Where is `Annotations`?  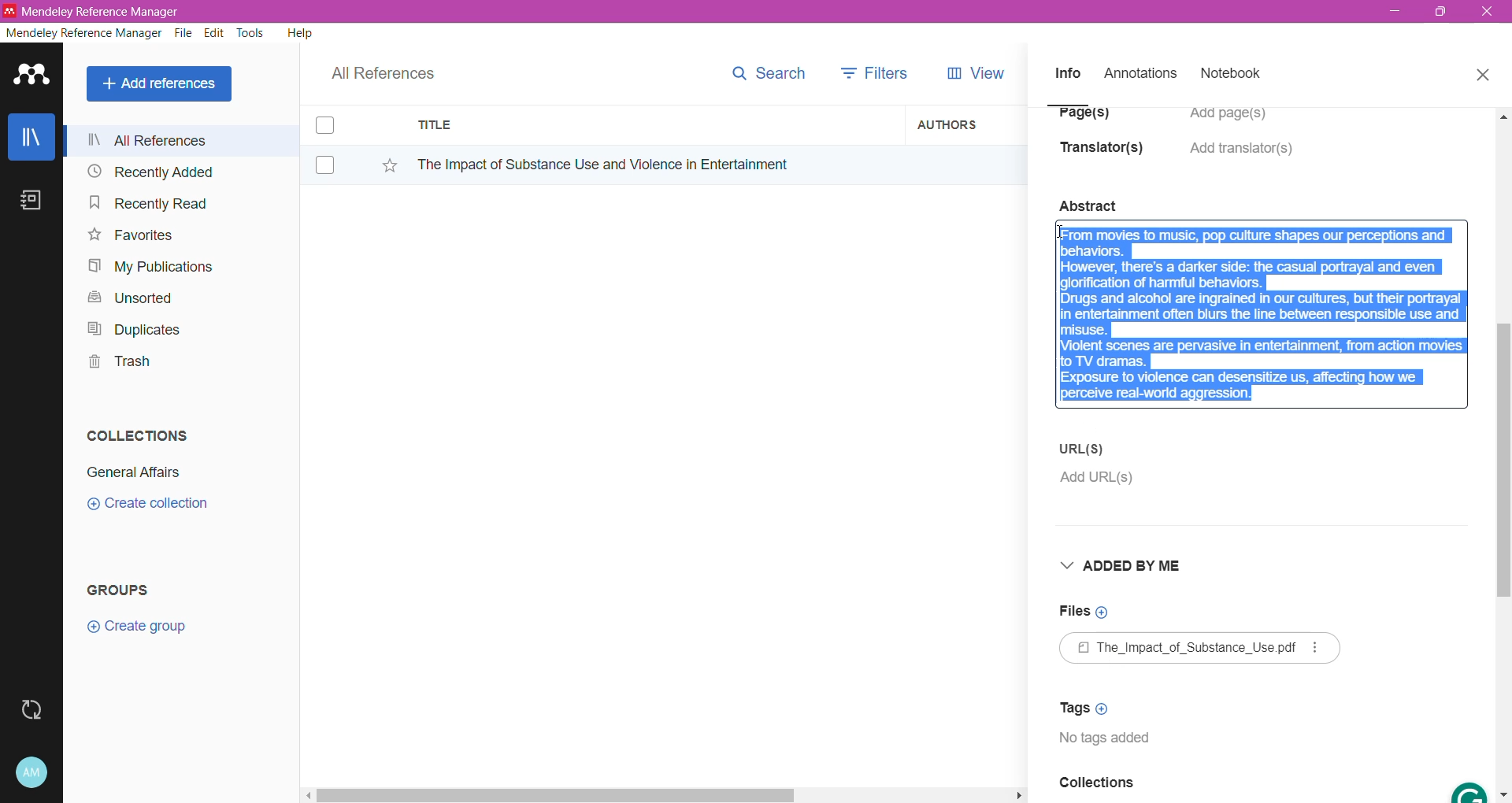 Annotations is located at coordinates (1139, 74).